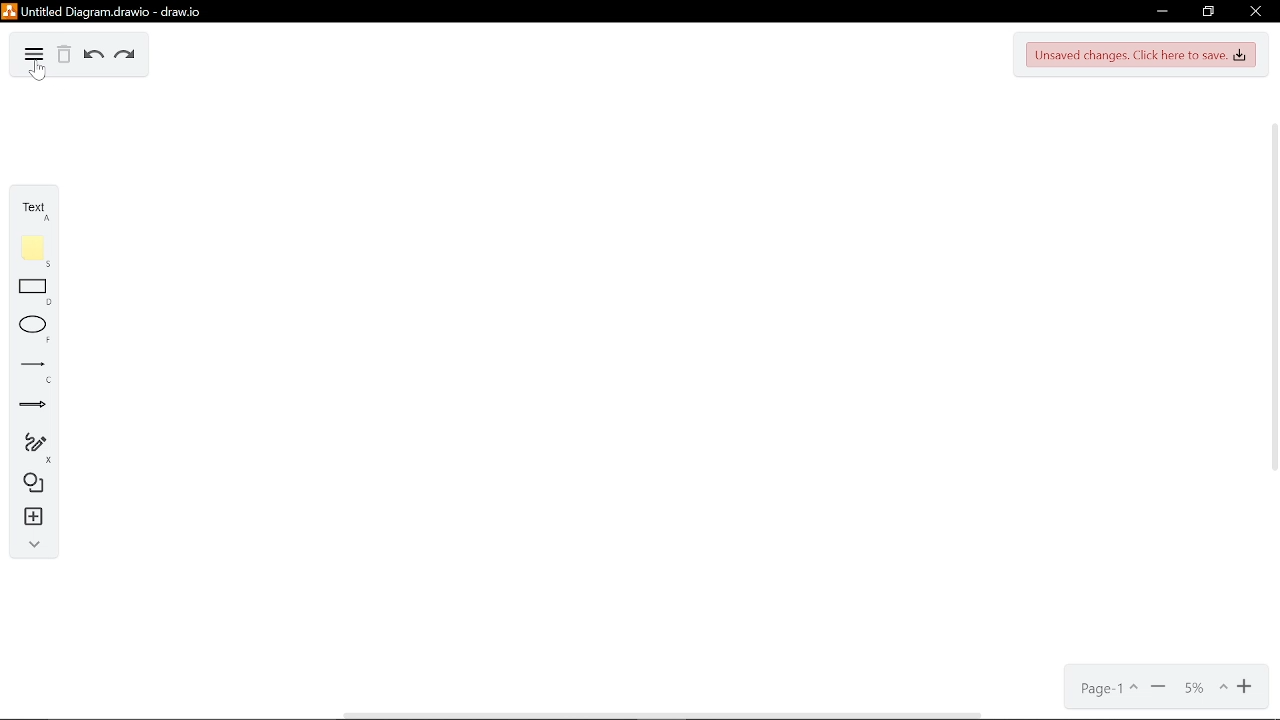  I want to click on Line, so click(29, 366).